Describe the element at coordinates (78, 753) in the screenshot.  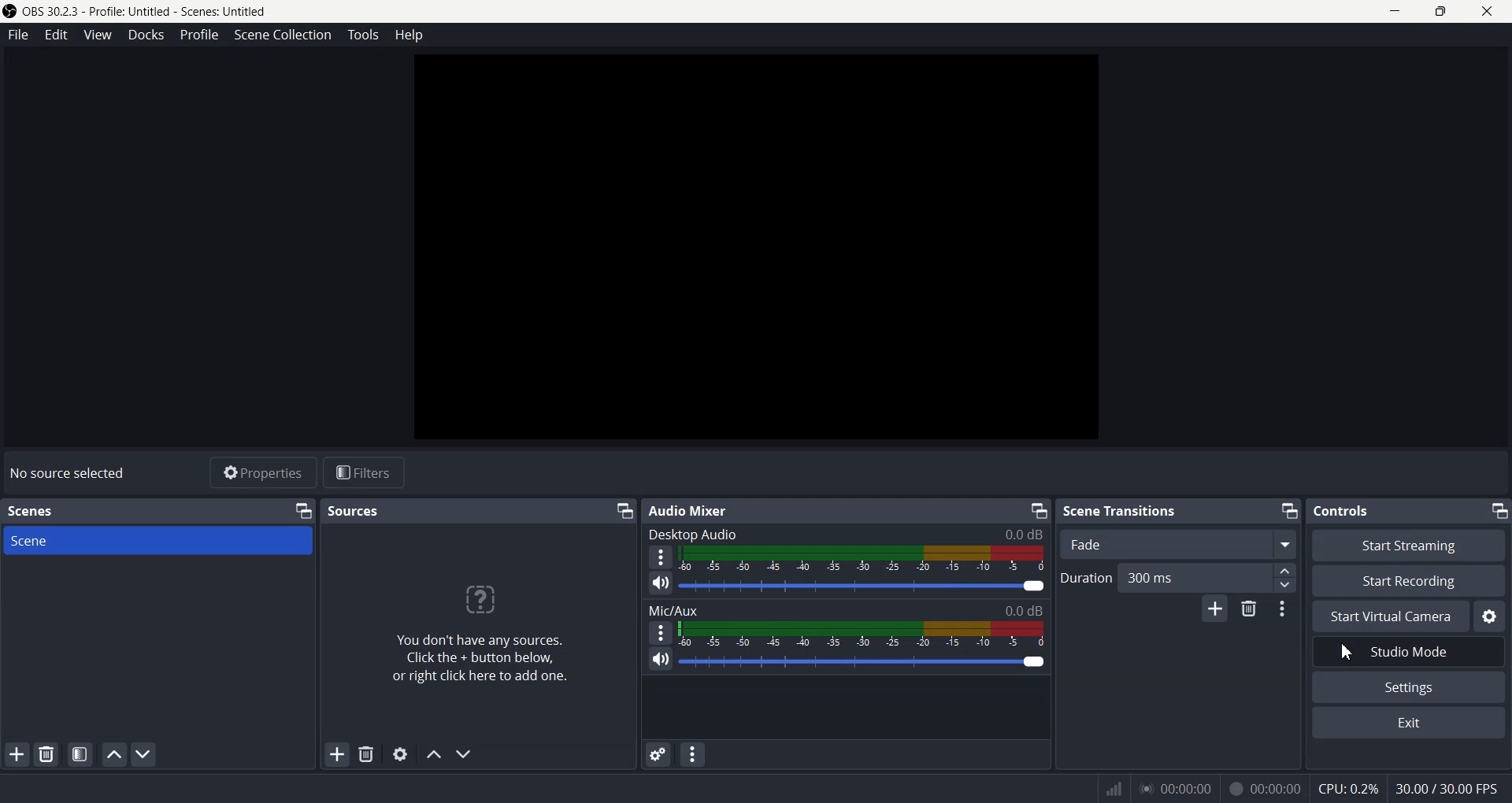
I see `Open scene layout` at that location.